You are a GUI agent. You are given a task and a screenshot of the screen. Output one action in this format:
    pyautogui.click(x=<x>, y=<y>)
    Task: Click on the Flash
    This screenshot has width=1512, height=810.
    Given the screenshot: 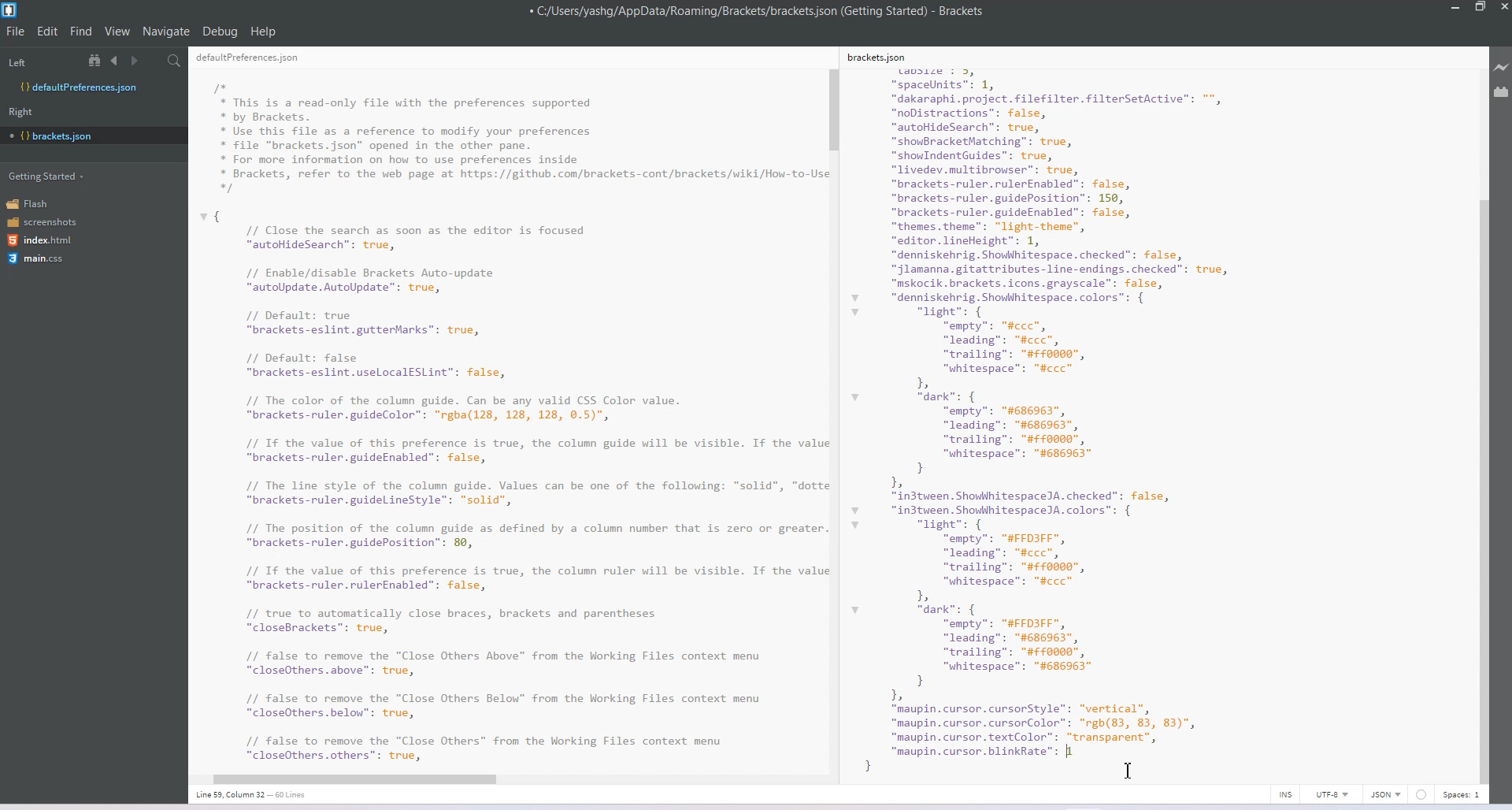 What is the action you would take?
    pyautogui.click(x=33, y=203)
    